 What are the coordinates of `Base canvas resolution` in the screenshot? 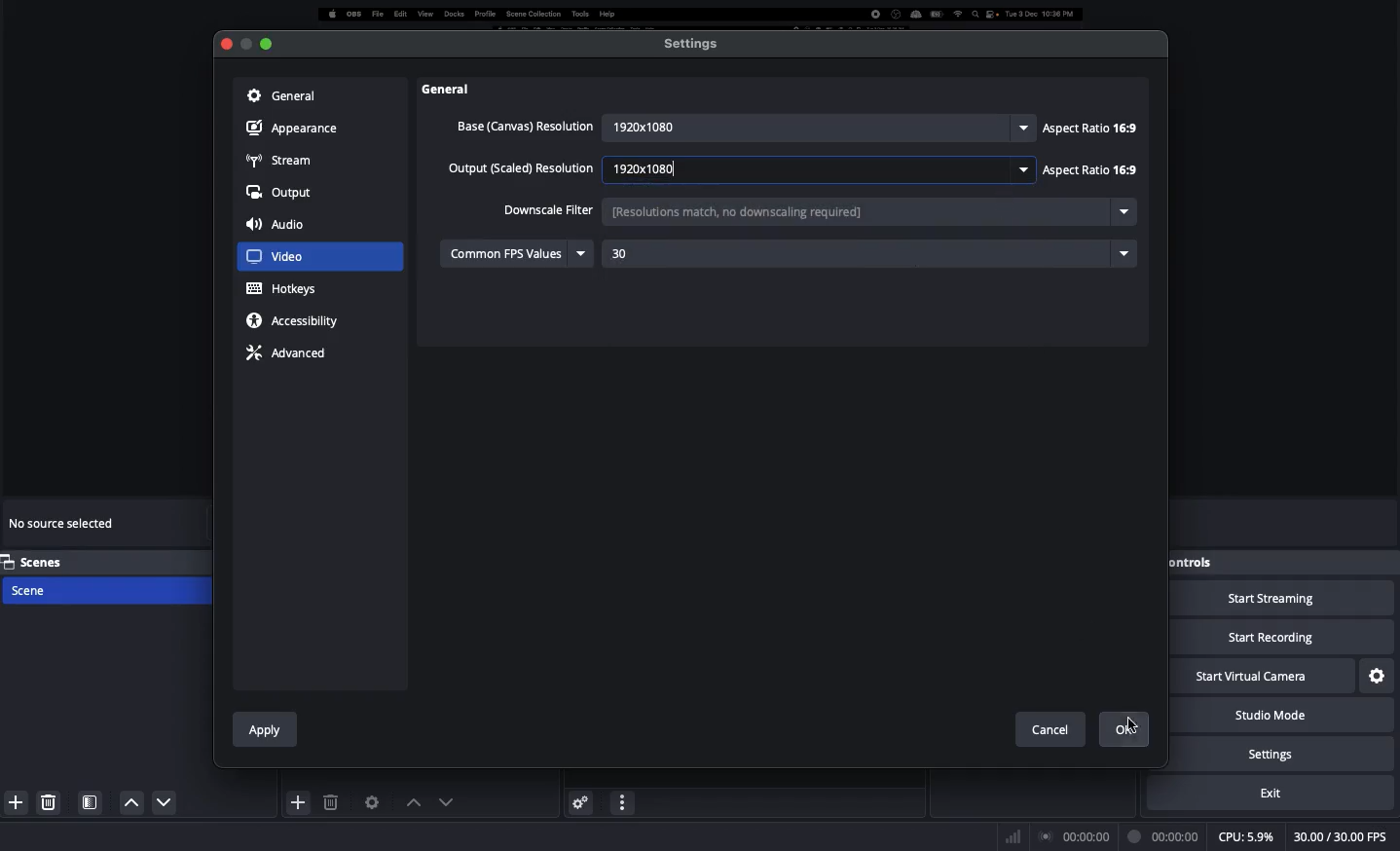 It's located at (523, 126).